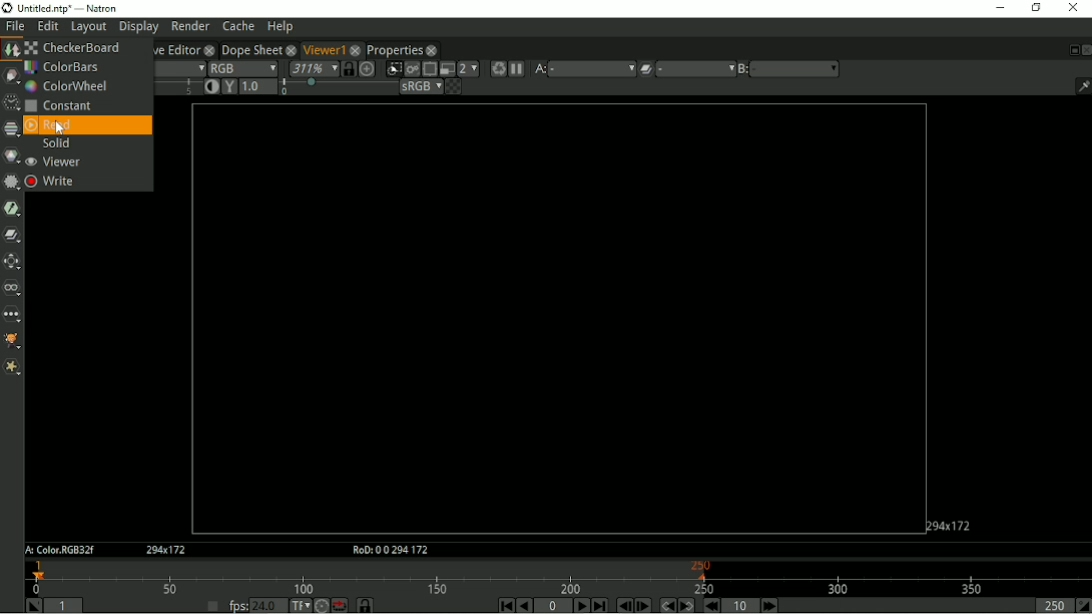 The width and height of the screenshot is (1092, 614). What do you see at coordinates (259, 86) in the screenshot?
I see `Viewer gamma correction` at bounding box center [259, 86].